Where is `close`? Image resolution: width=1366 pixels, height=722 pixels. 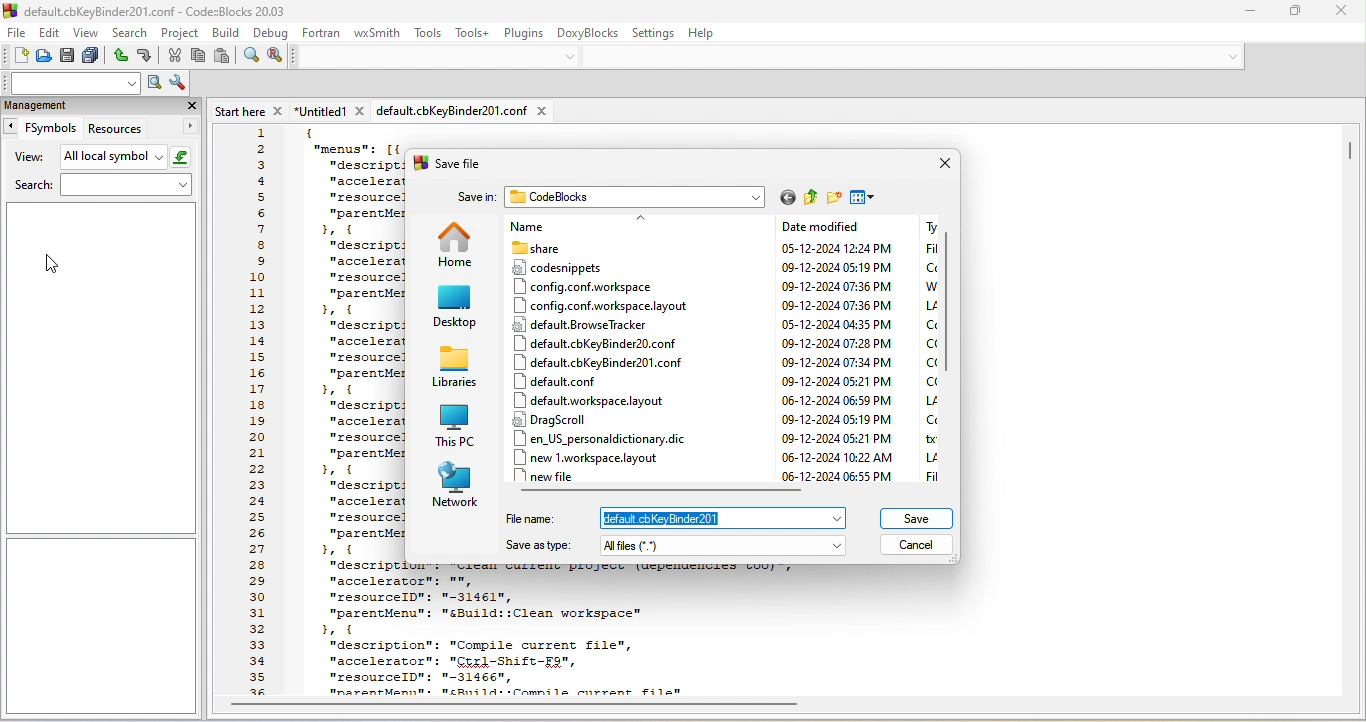 close is located at coordinates (191, 105).